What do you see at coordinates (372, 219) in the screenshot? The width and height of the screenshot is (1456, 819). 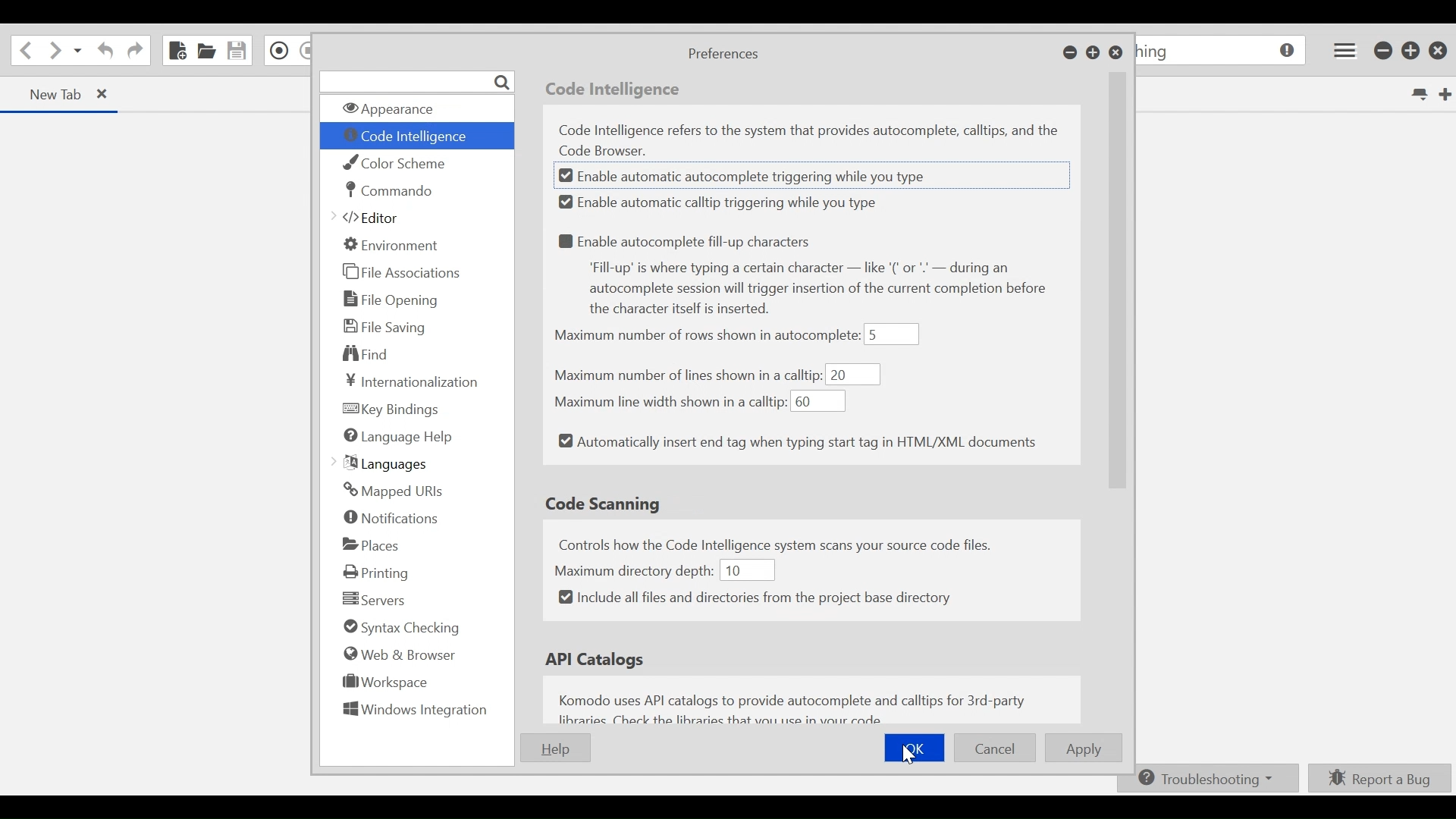 I see `Editor` at bounding box center [372, 219].